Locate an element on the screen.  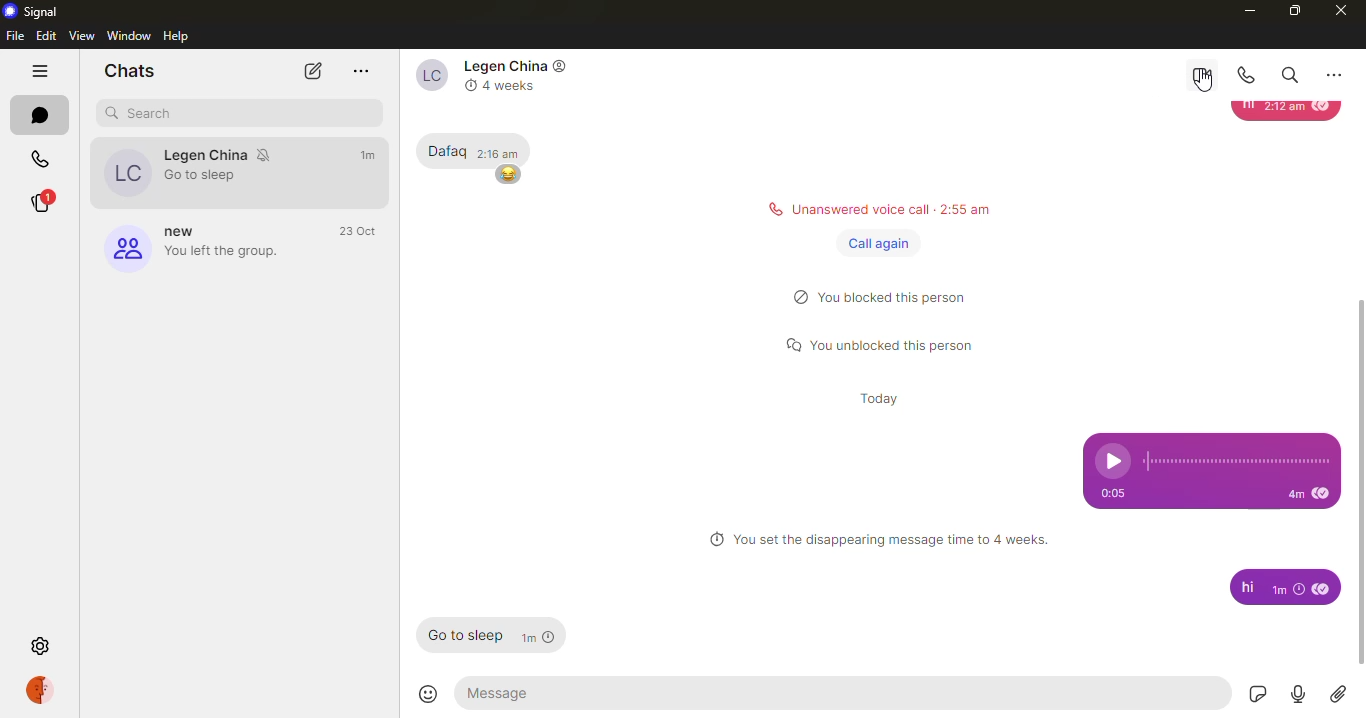
4m is located at coordinates (1283, 495).